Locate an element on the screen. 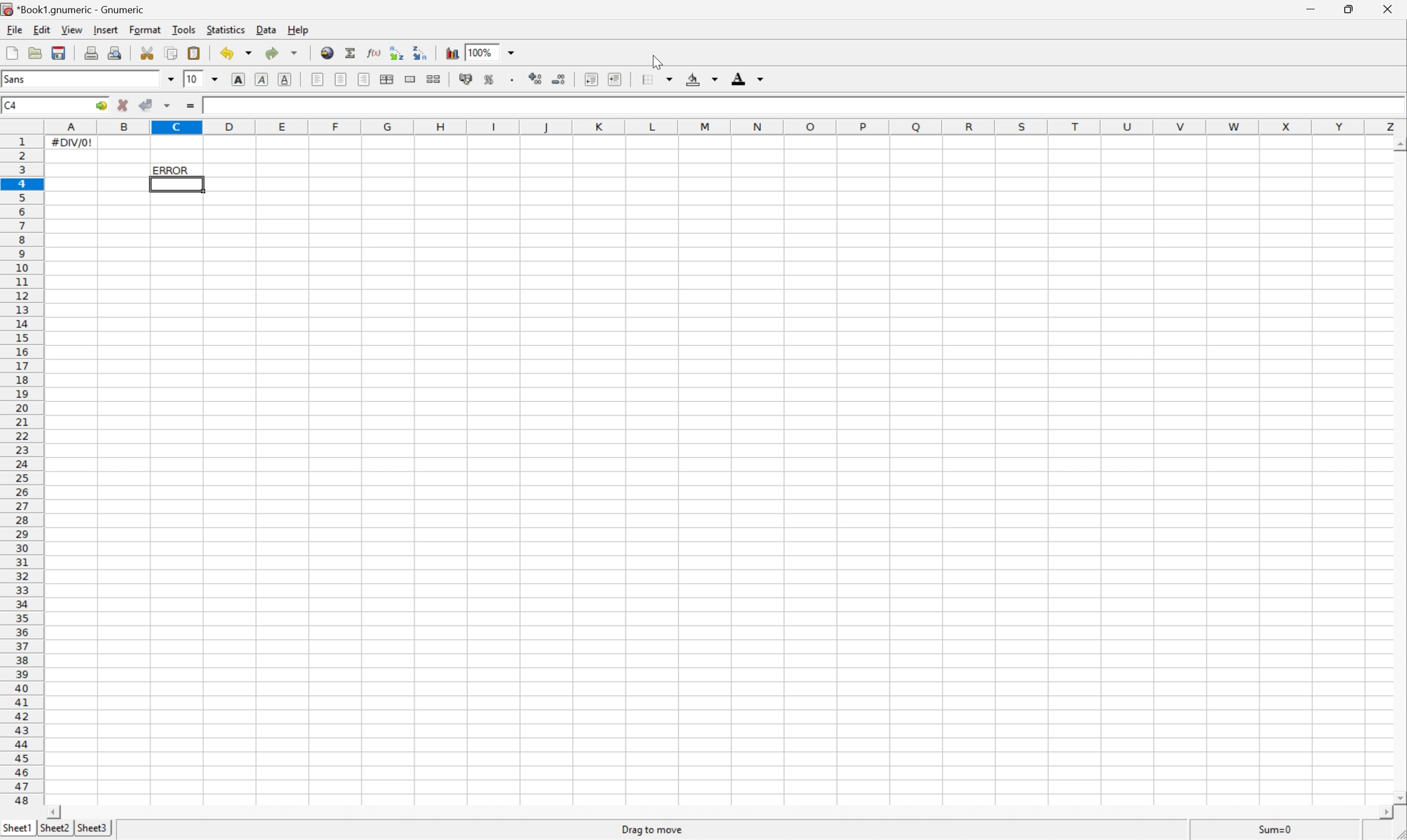 The width and height of the screenshot is (1407, 840). Minimize is located at coordinates (1310, 10).